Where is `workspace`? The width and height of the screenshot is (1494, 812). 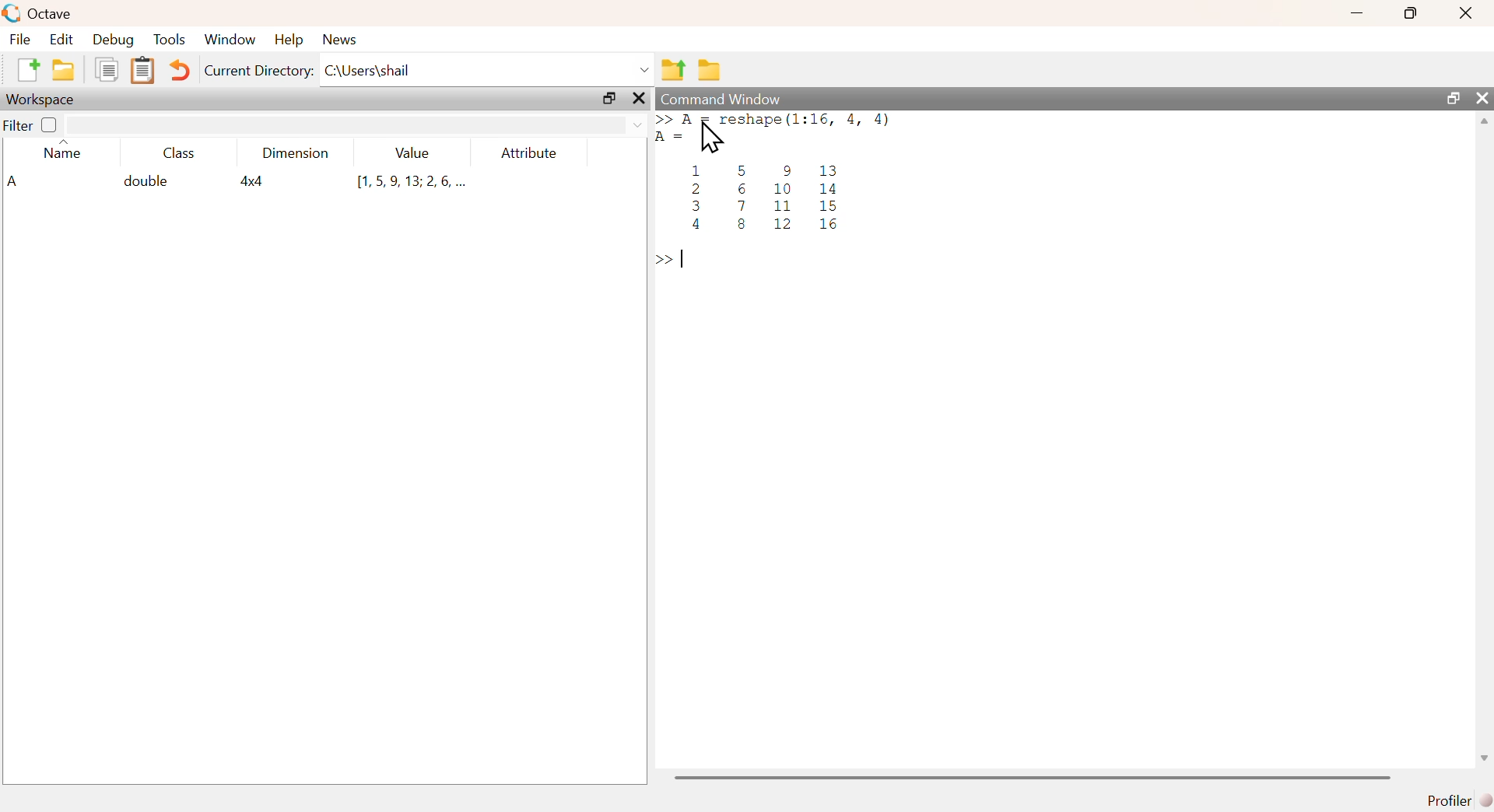
workspace is located at coordinates (46, 100).